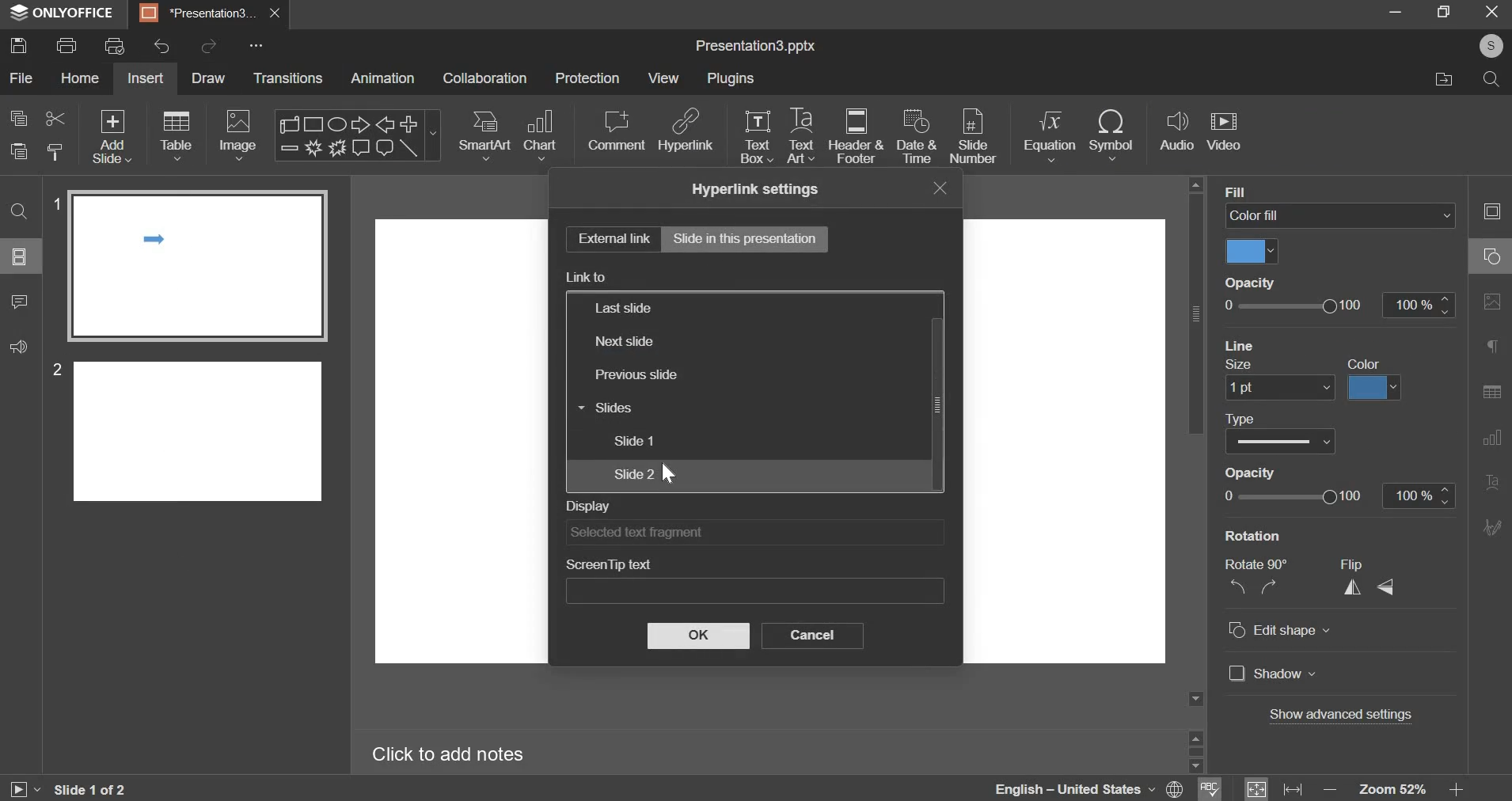 This screenshot has width=1512, height=801. I want to click on flip horizontally, so click(1353, 587).